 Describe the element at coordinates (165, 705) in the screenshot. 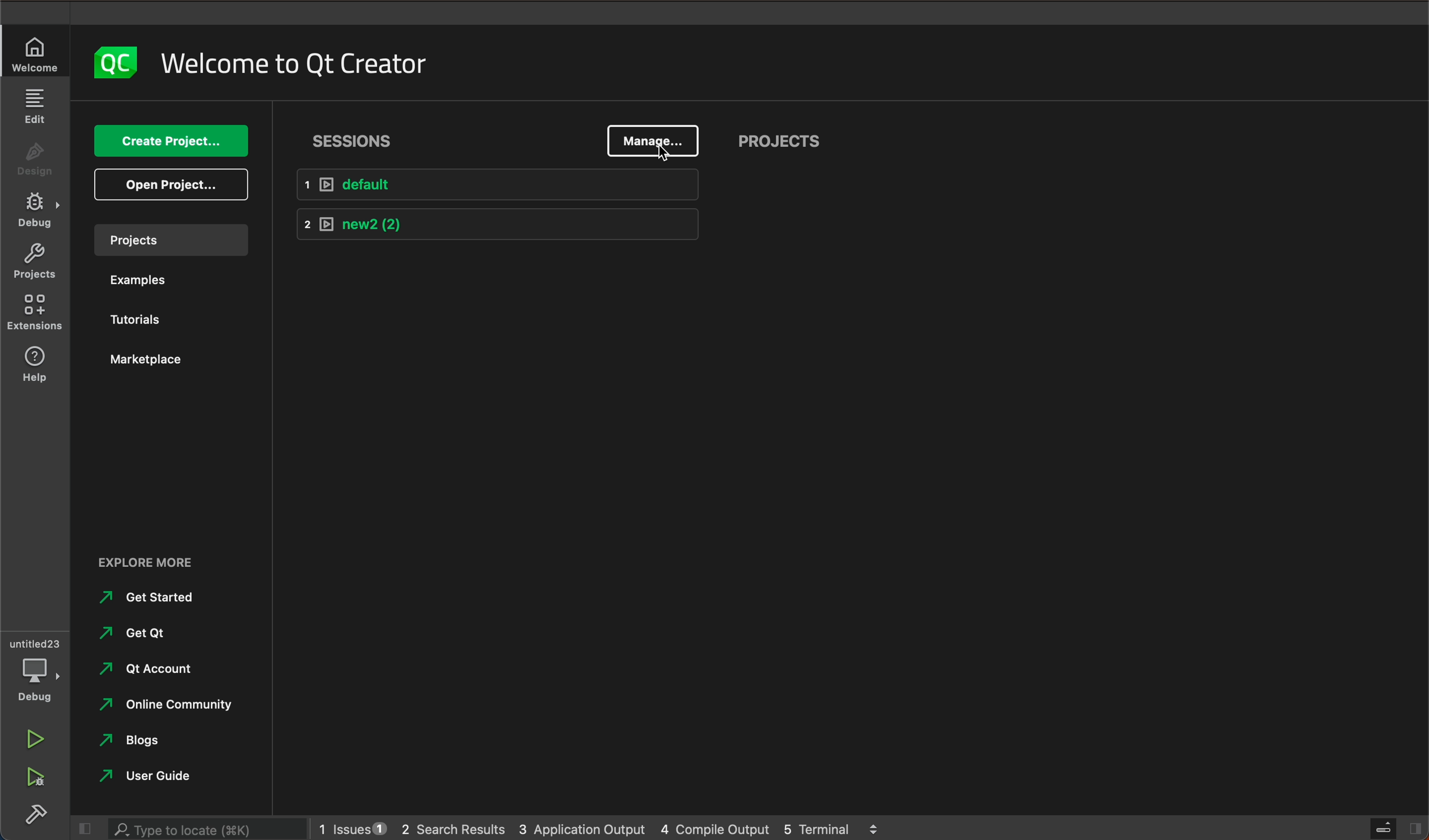

I see `online community` at that location.